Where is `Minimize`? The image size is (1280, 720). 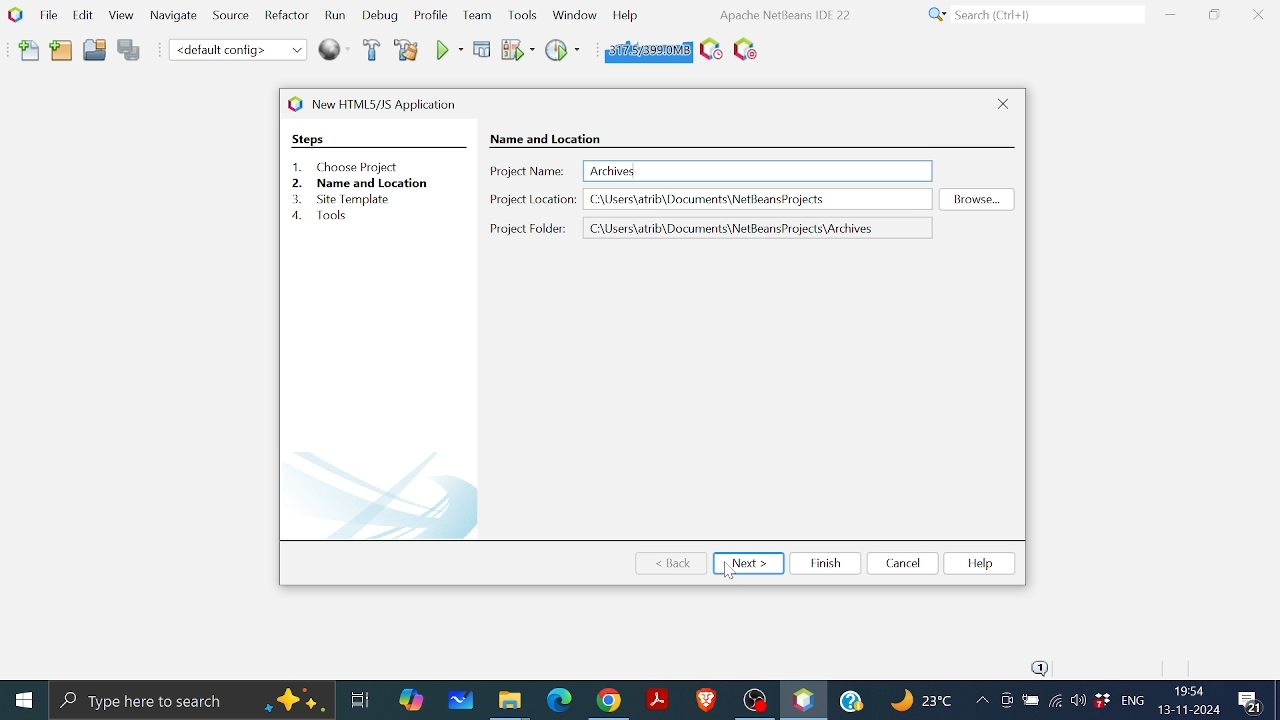 Minimize is located at coordinates (1173, 14).